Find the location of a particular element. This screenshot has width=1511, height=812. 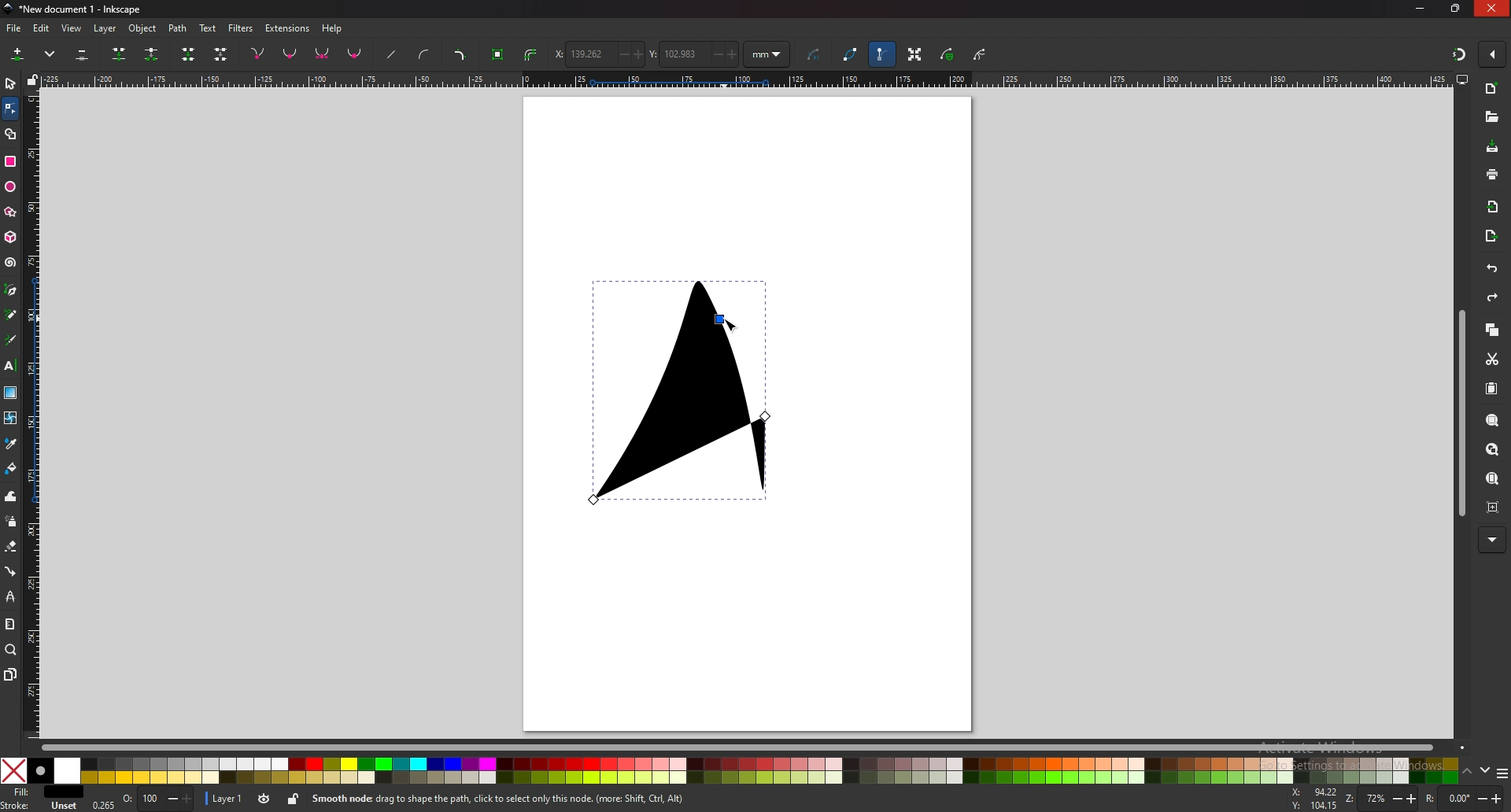

break paths is located at coordinates (153, 54).